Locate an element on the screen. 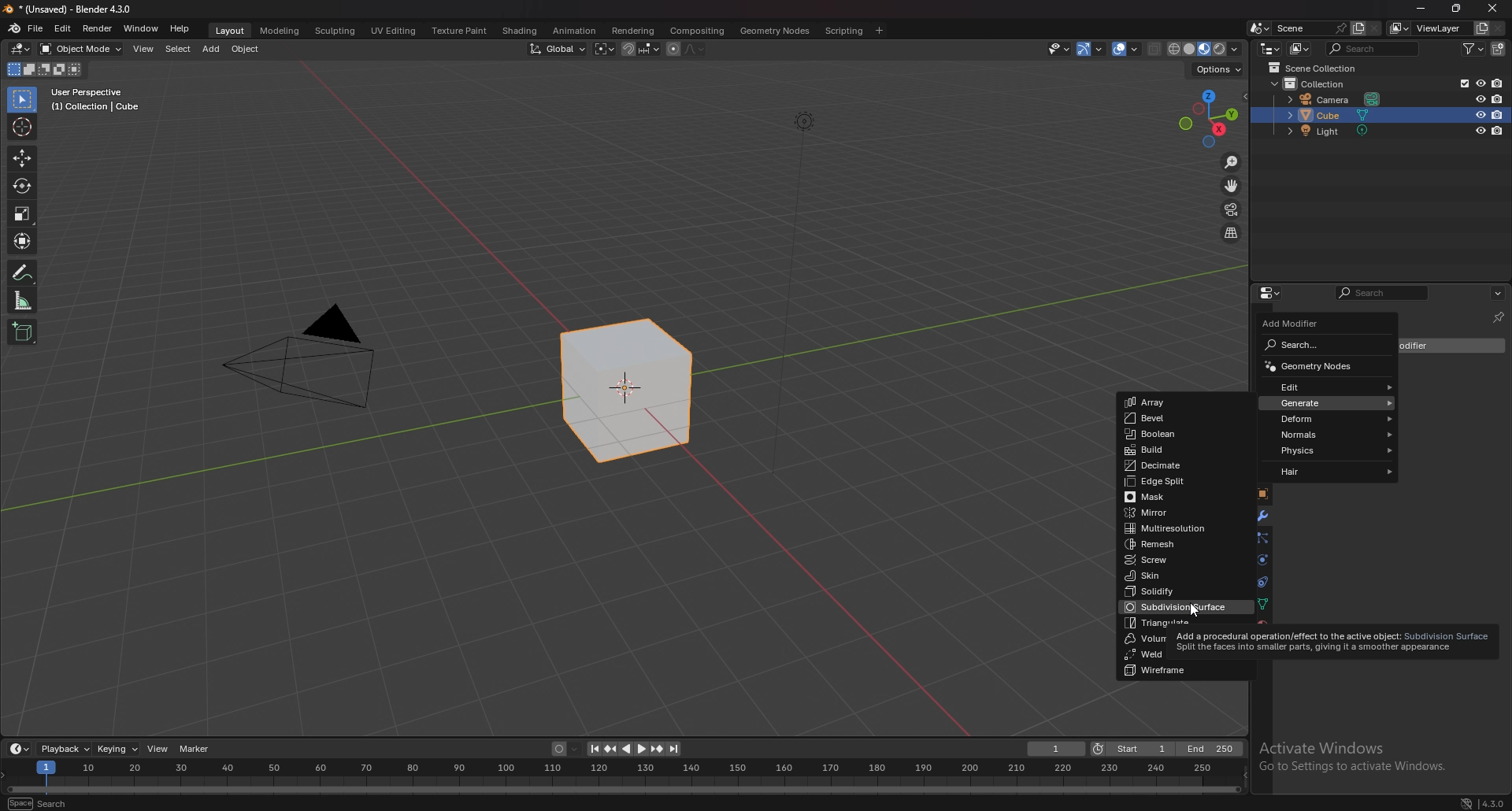 This screenshot has height=811, width=1512. wireframe is located at coordinates (1186, 671).